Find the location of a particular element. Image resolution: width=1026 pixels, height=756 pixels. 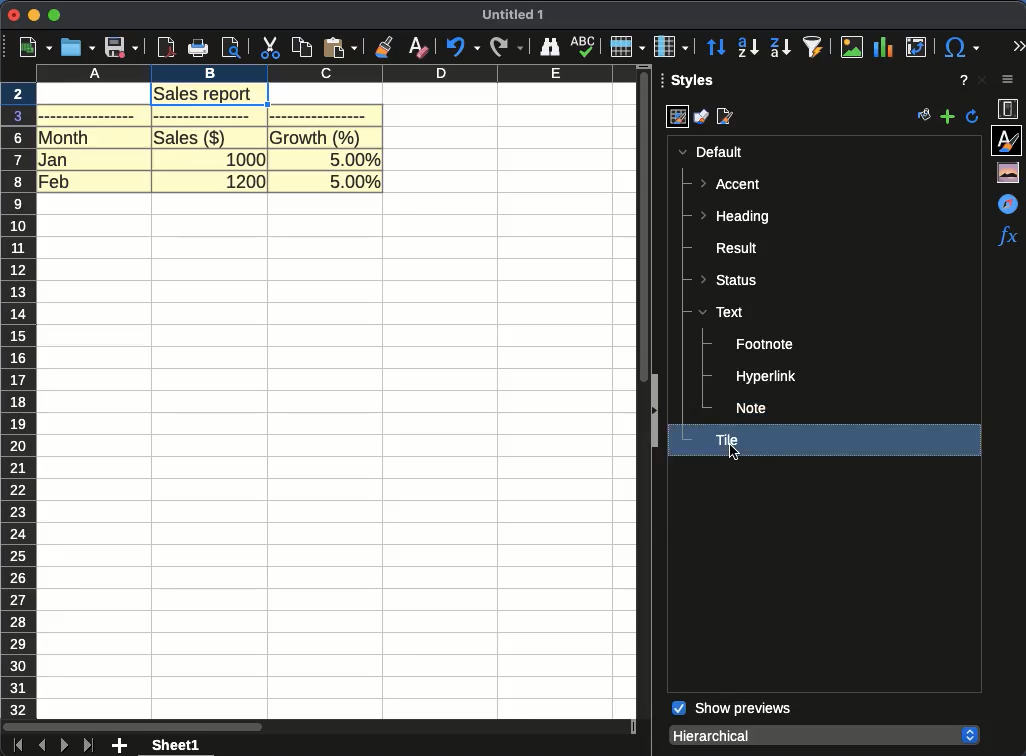

5.00% is located at coordinates (355, 183).